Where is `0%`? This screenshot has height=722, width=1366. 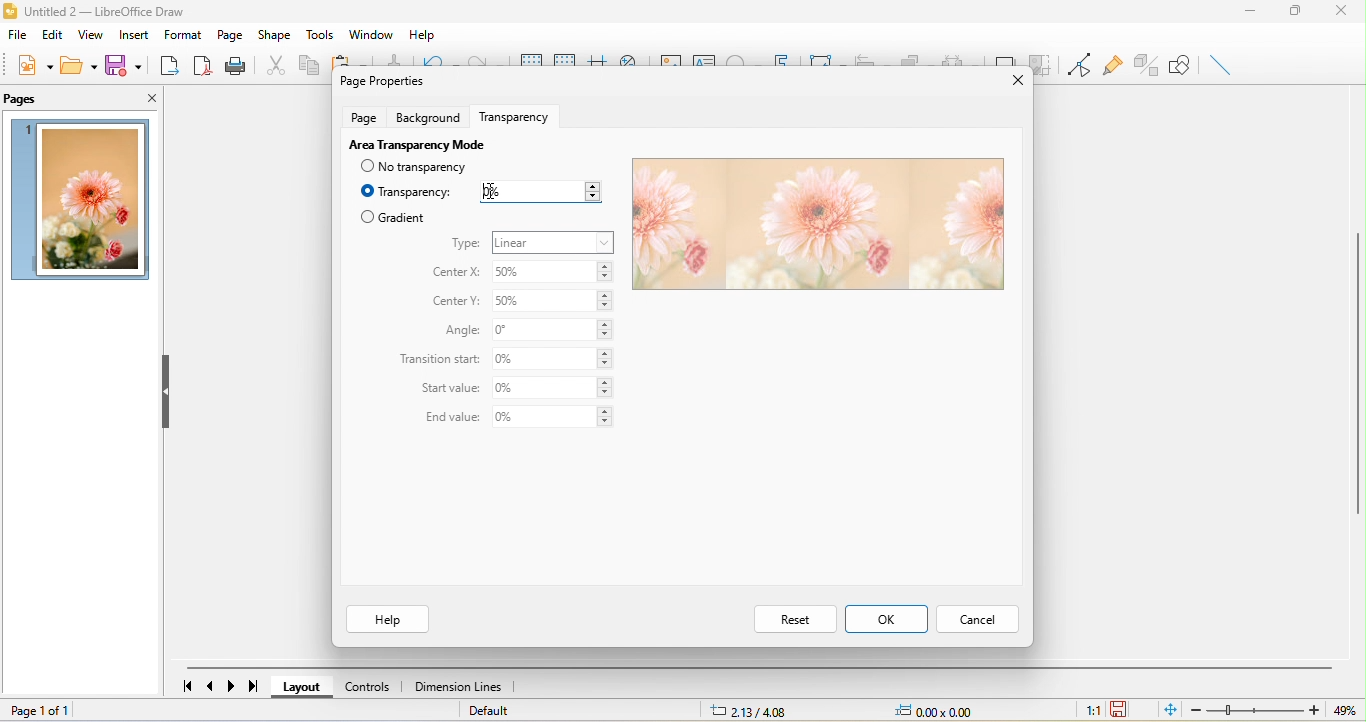
0% is located at coordinates (554, 330).